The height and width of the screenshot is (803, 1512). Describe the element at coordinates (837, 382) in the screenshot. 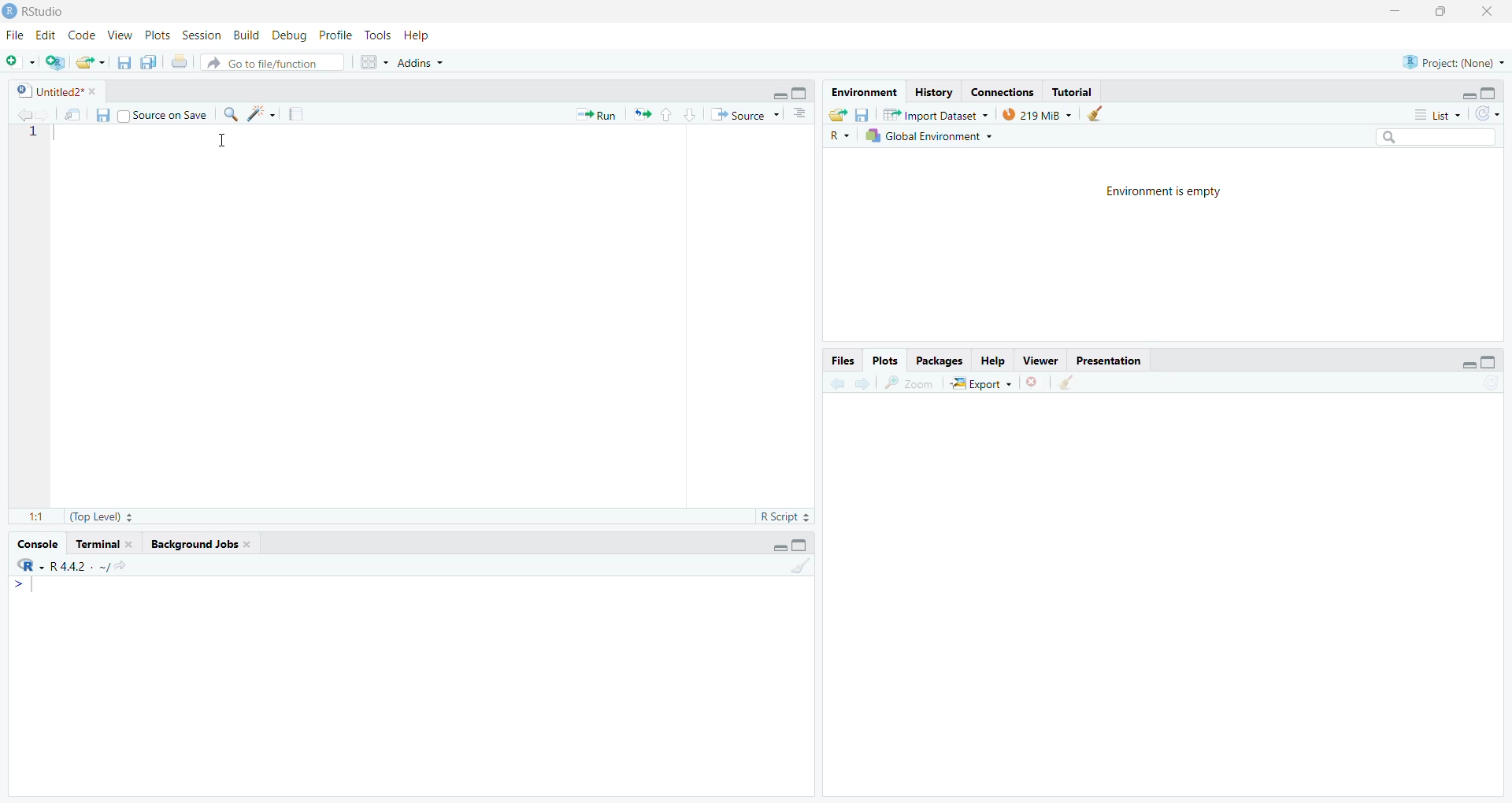

I see `Previous plot` at that location.